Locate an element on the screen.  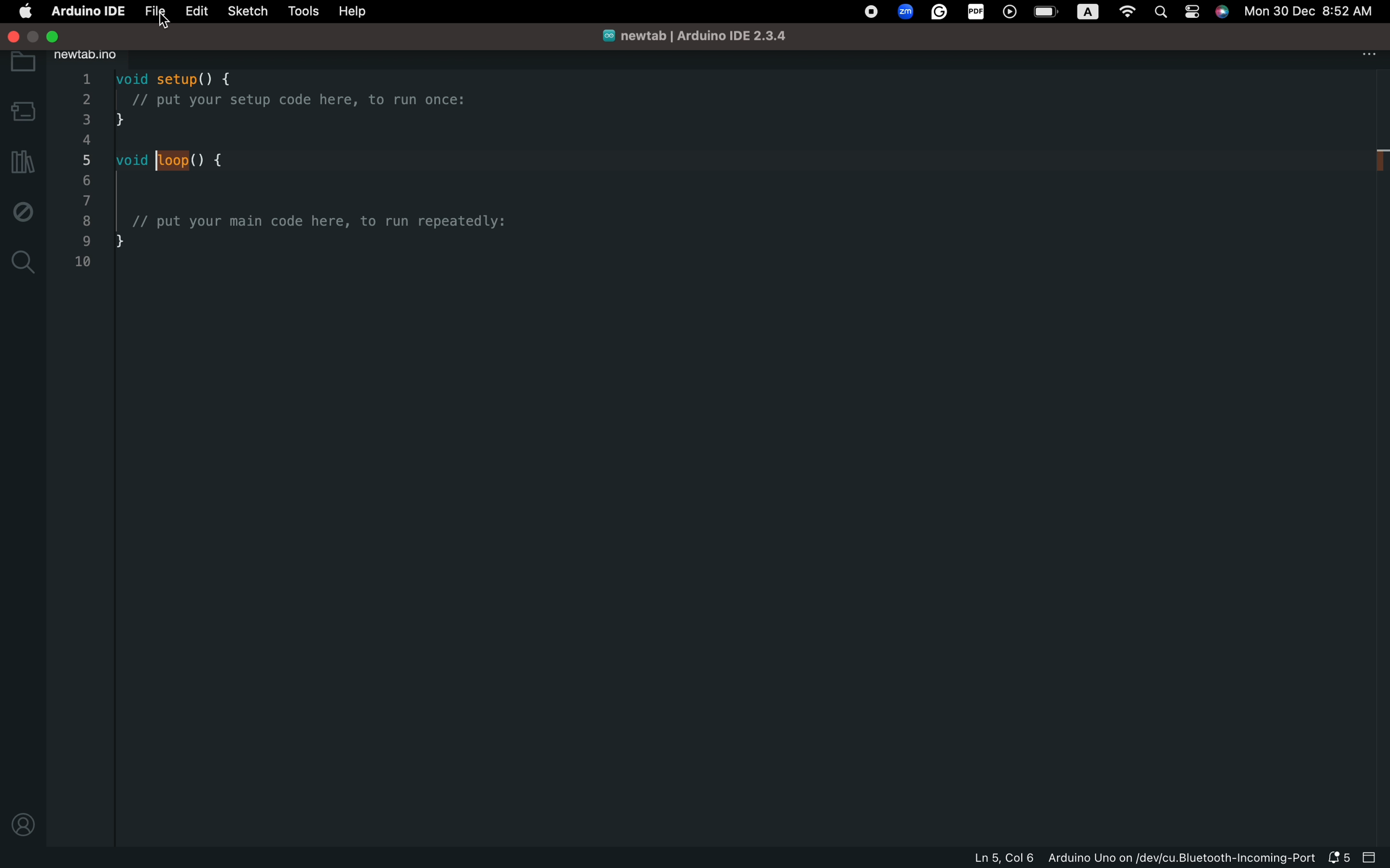
main setting is located at coordinates (25, 10).